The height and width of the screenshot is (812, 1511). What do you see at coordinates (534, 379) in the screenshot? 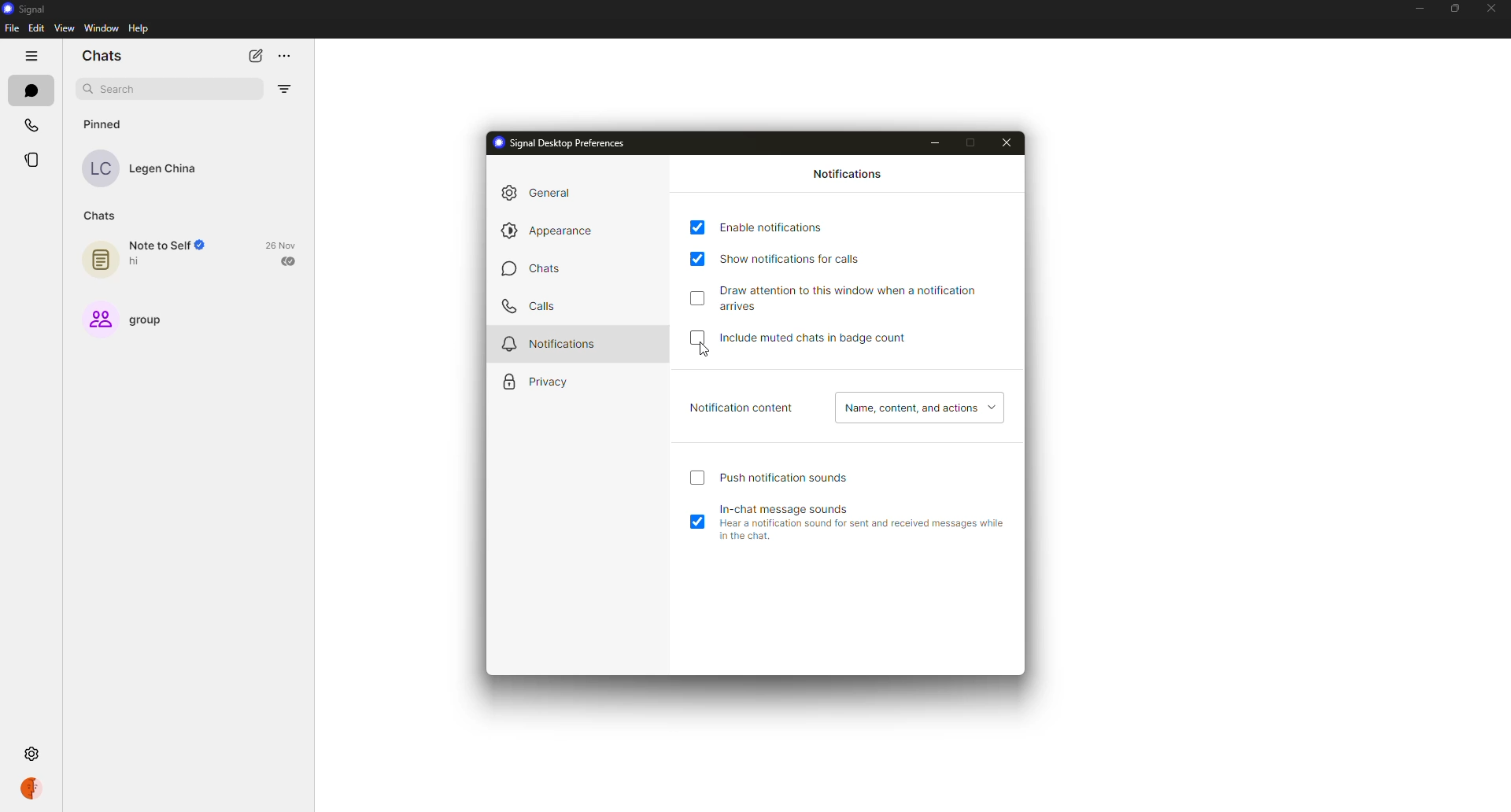
I see `privacy` at bounding box center [534, 379].